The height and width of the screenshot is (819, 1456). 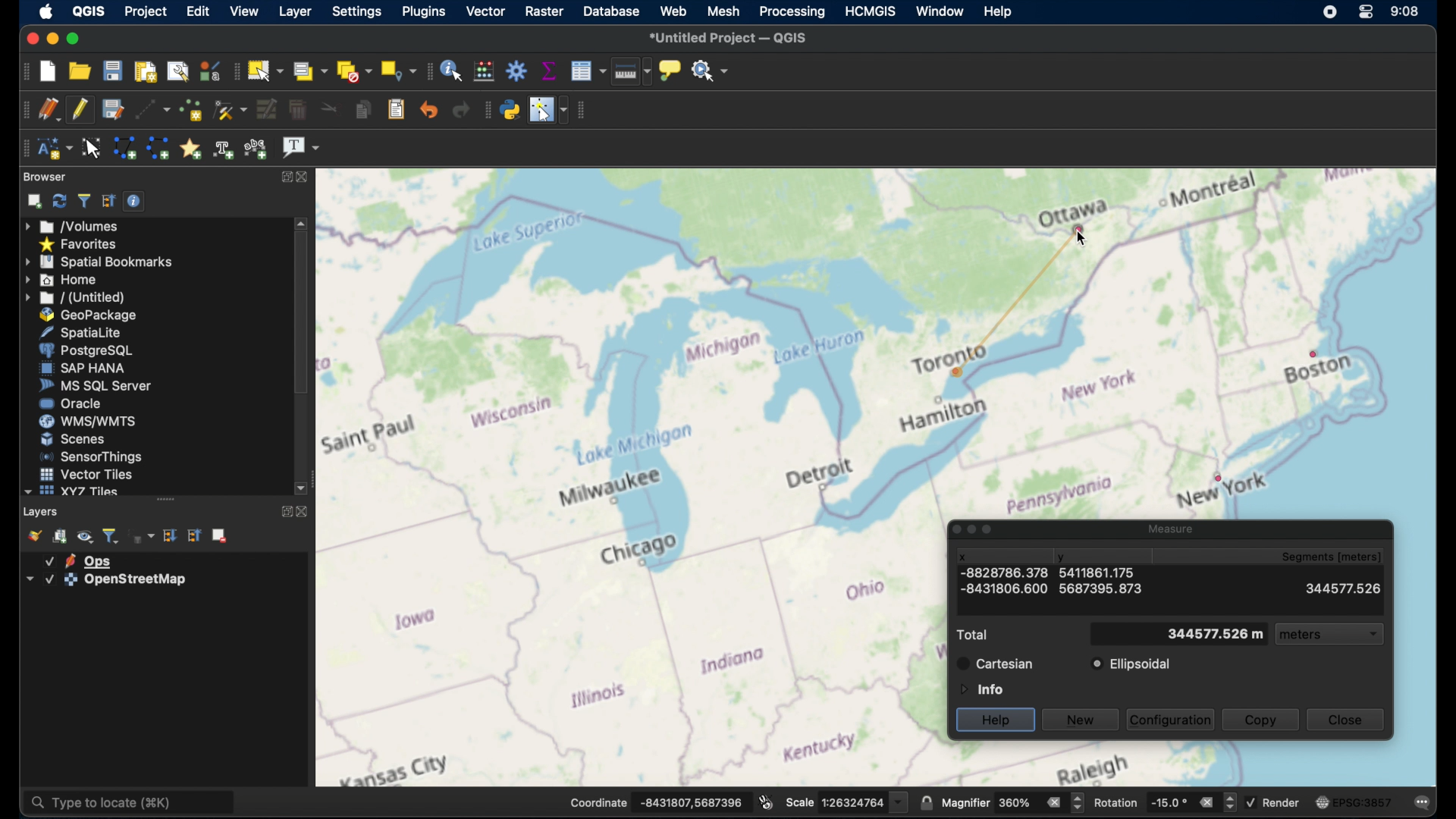 I want to click on layer, so click(x=102, y=580).